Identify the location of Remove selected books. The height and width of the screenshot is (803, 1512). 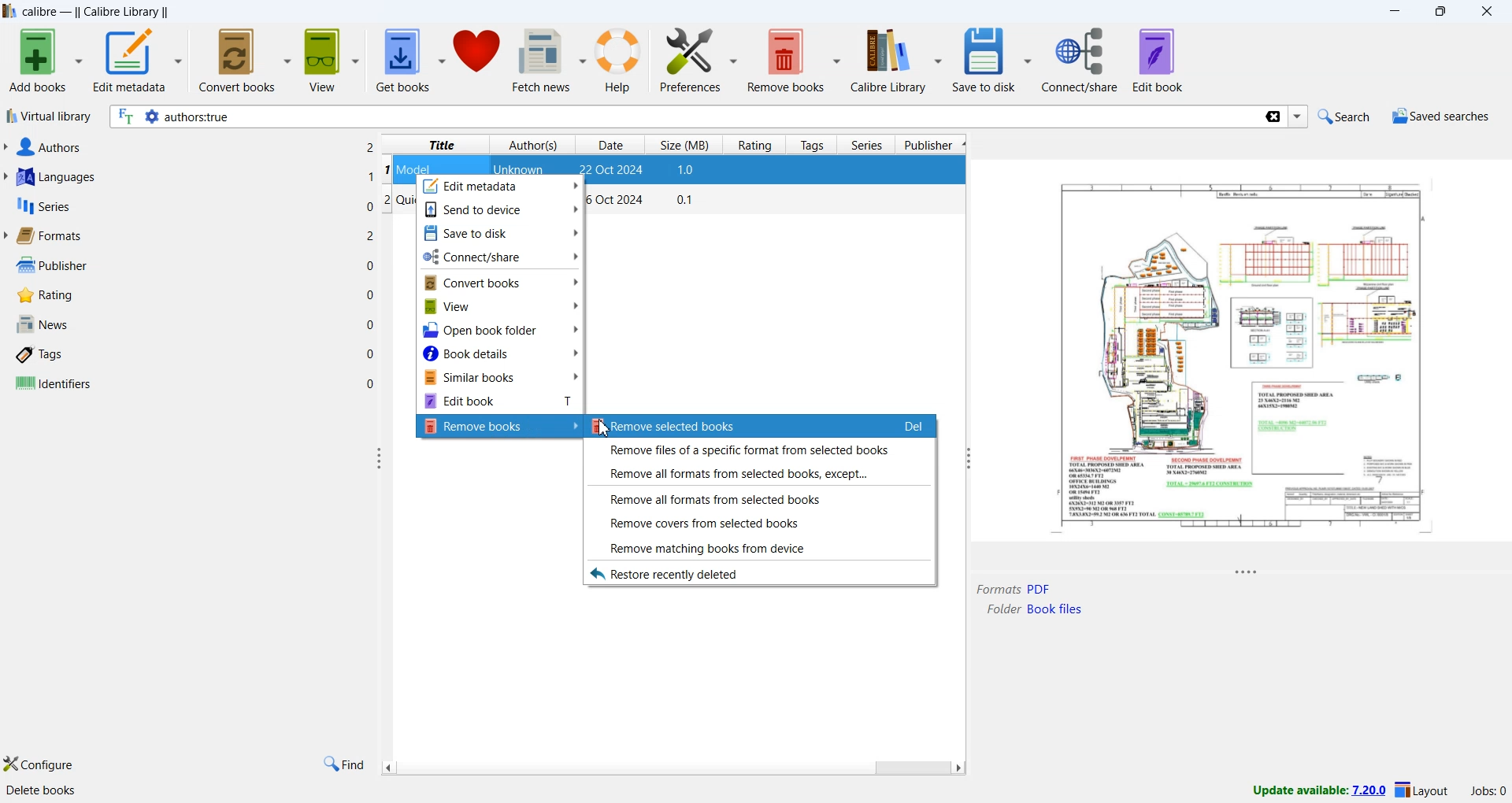
(758, 427).